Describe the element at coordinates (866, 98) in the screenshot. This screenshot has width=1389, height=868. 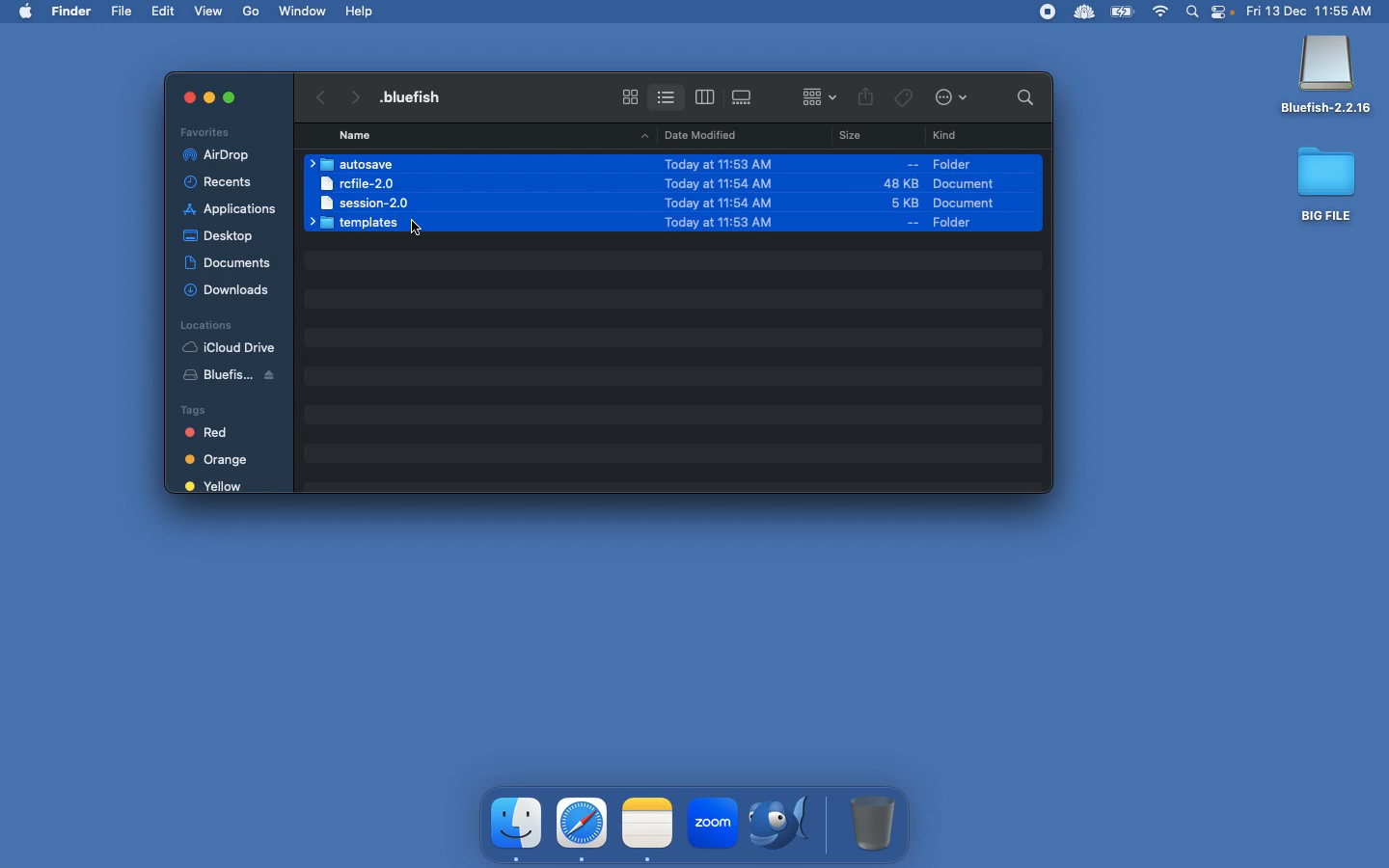
I see `share` at that location.